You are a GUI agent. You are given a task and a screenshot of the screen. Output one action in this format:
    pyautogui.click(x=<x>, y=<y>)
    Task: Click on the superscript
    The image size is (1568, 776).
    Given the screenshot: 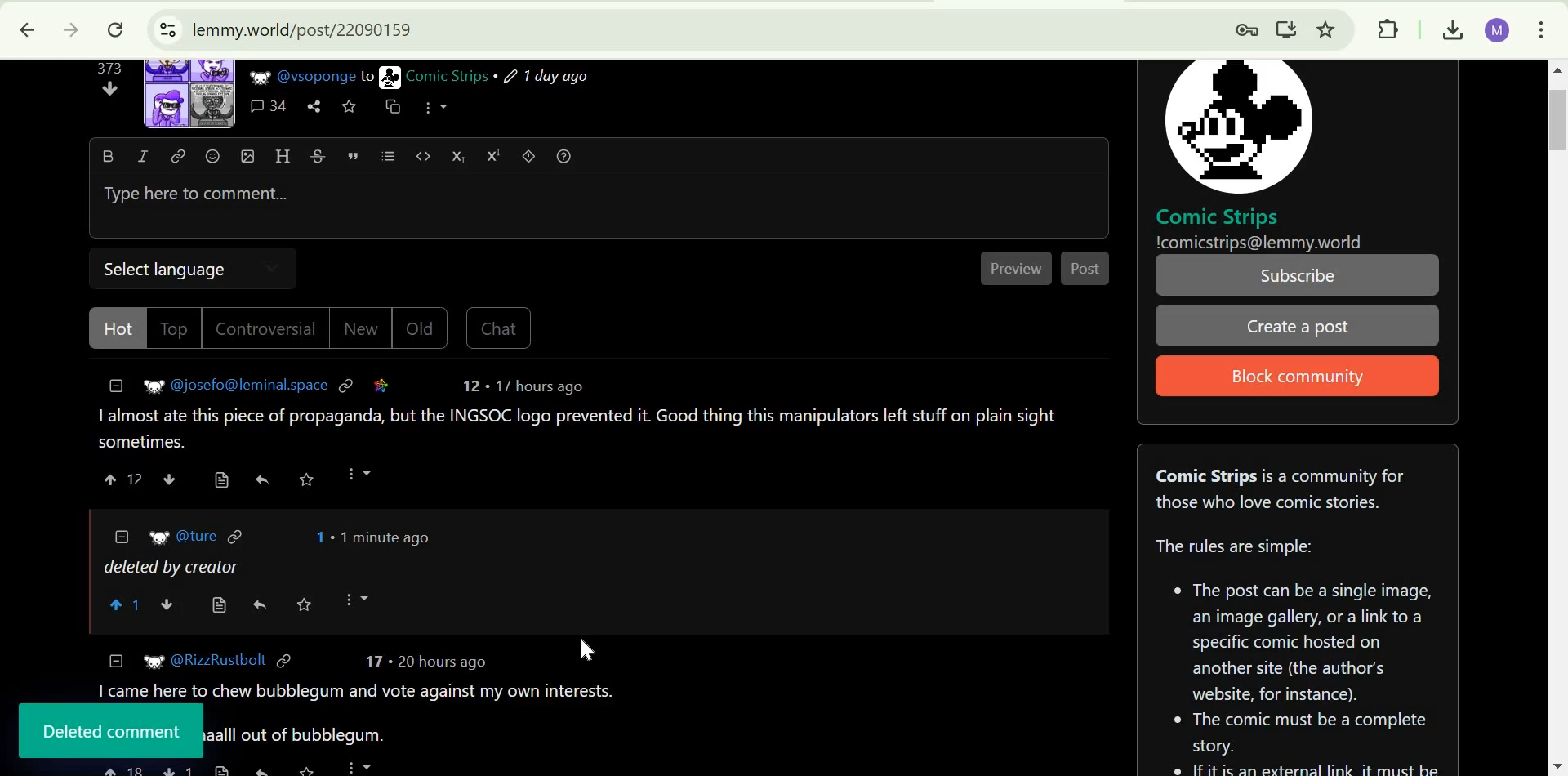 What is the action you would take?
    pyautogui.click(x=494, y=156)
    